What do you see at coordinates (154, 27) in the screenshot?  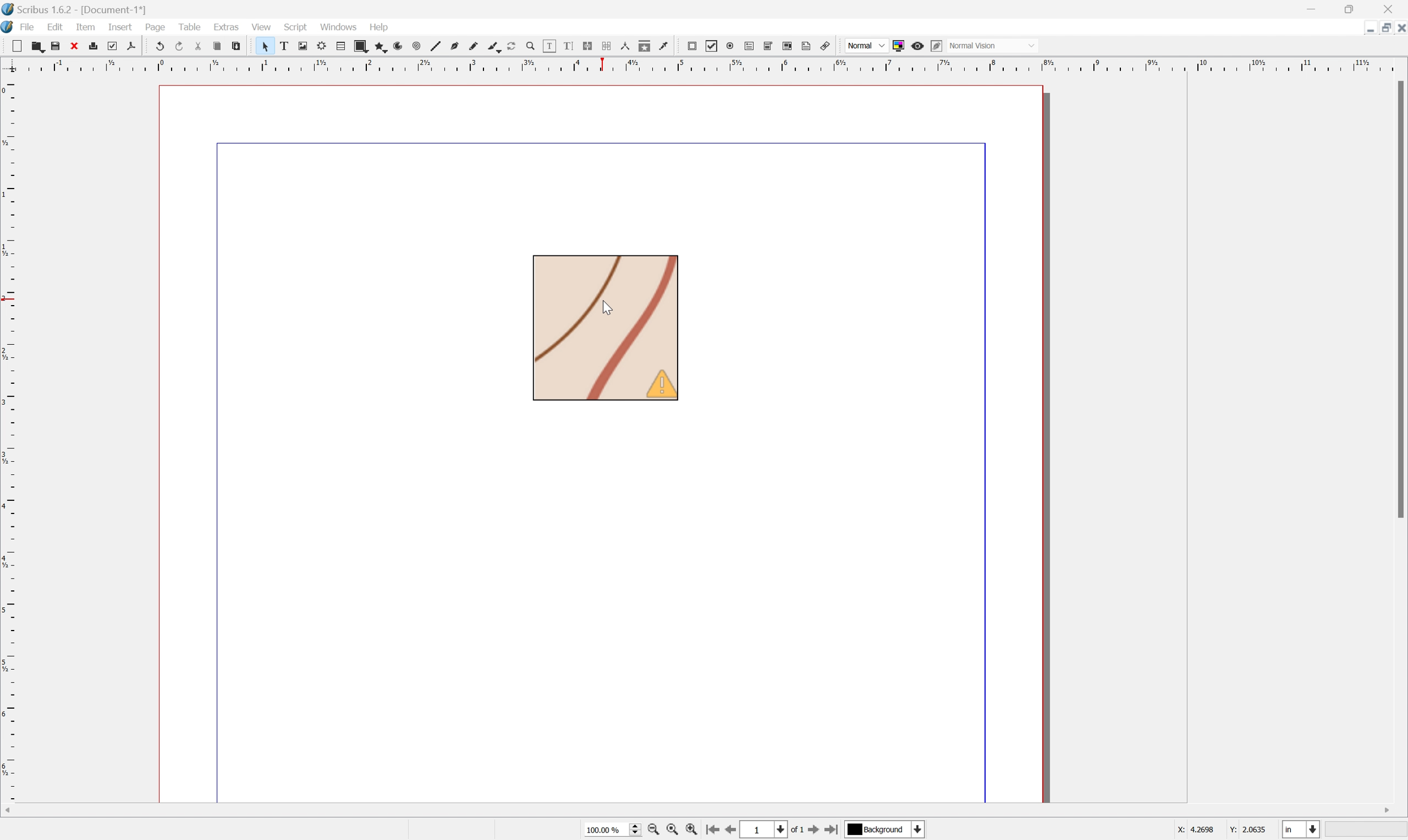 I see `Page` at bounding box center [154, 27].